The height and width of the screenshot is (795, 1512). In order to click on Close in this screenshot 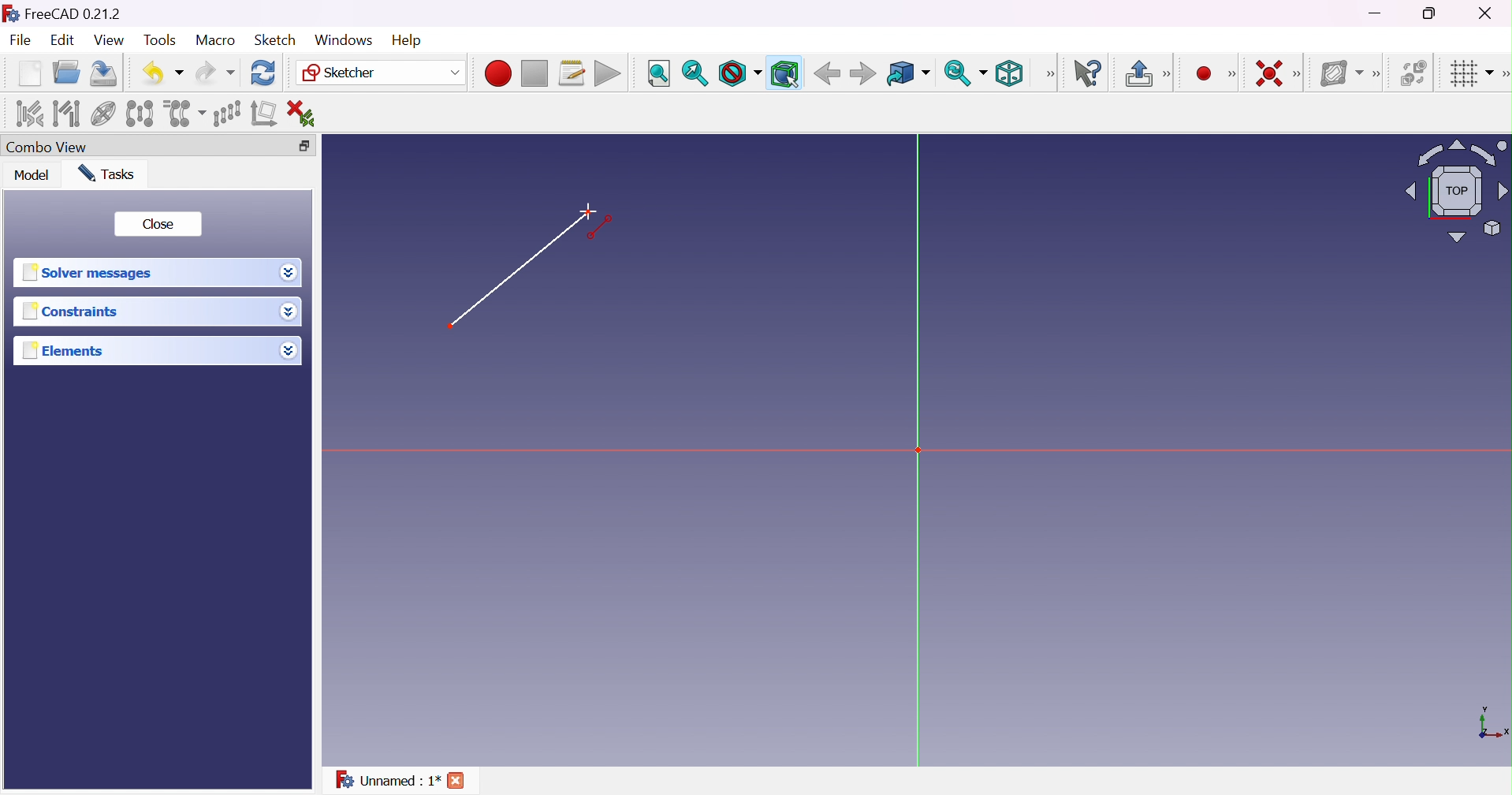, I will do `click(460, 781)`.